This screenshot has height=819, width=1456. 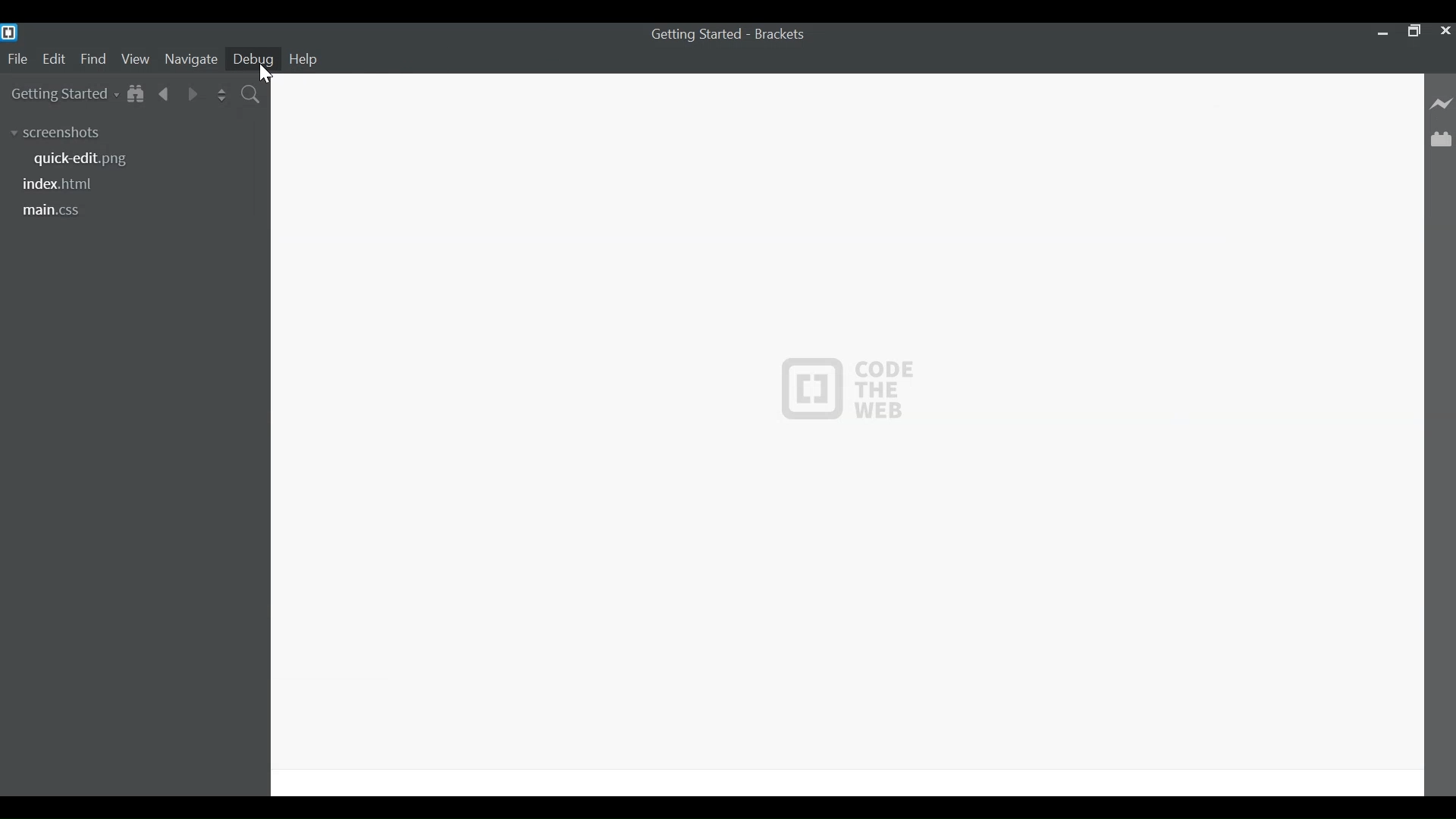 What do you see at coordinates (165, 93) in the screenshot?
I see `Navigate Back` at bounding box center [165, 93].